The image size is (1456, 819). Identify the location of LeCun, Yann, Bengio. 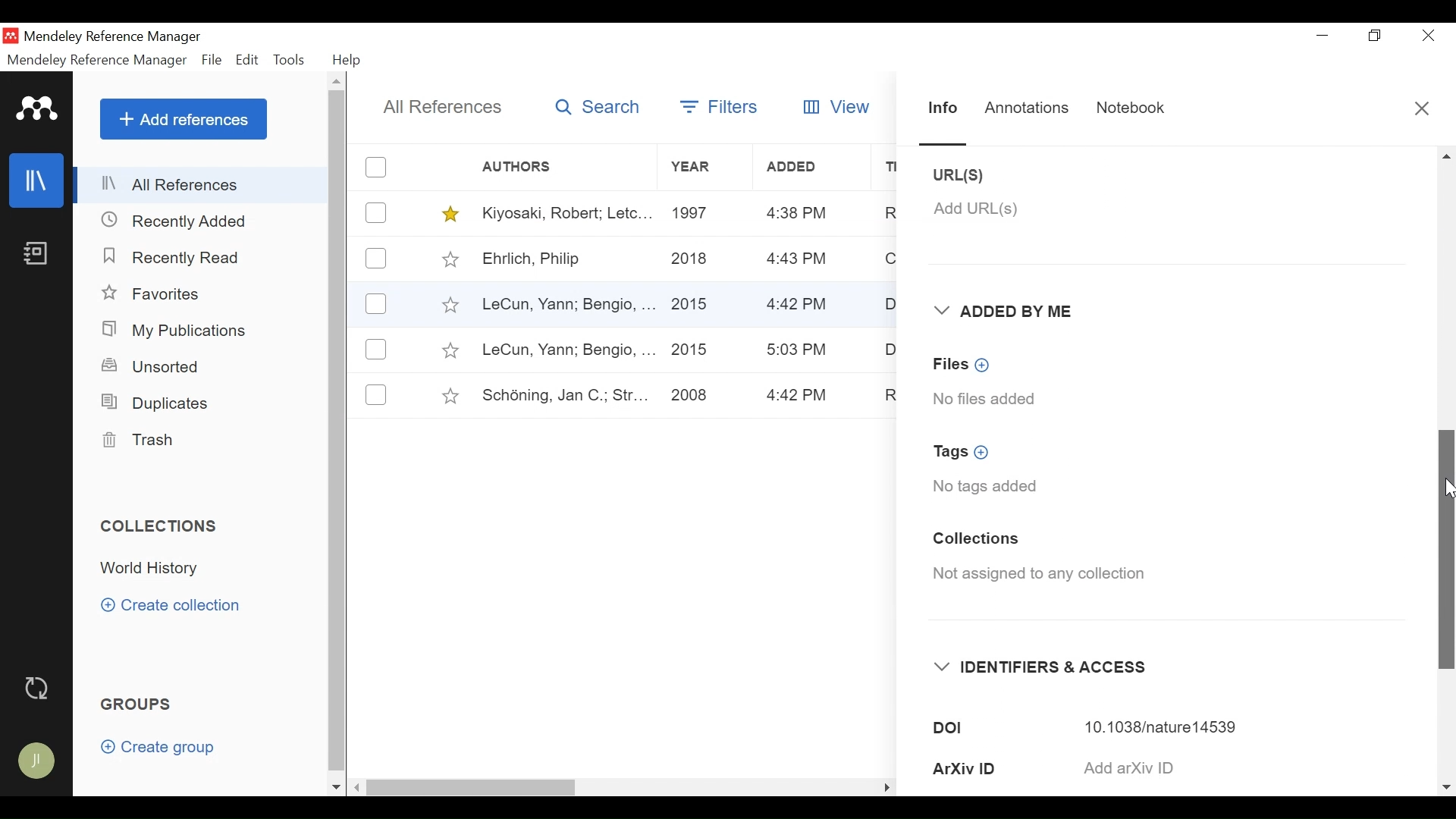
(566, 306).